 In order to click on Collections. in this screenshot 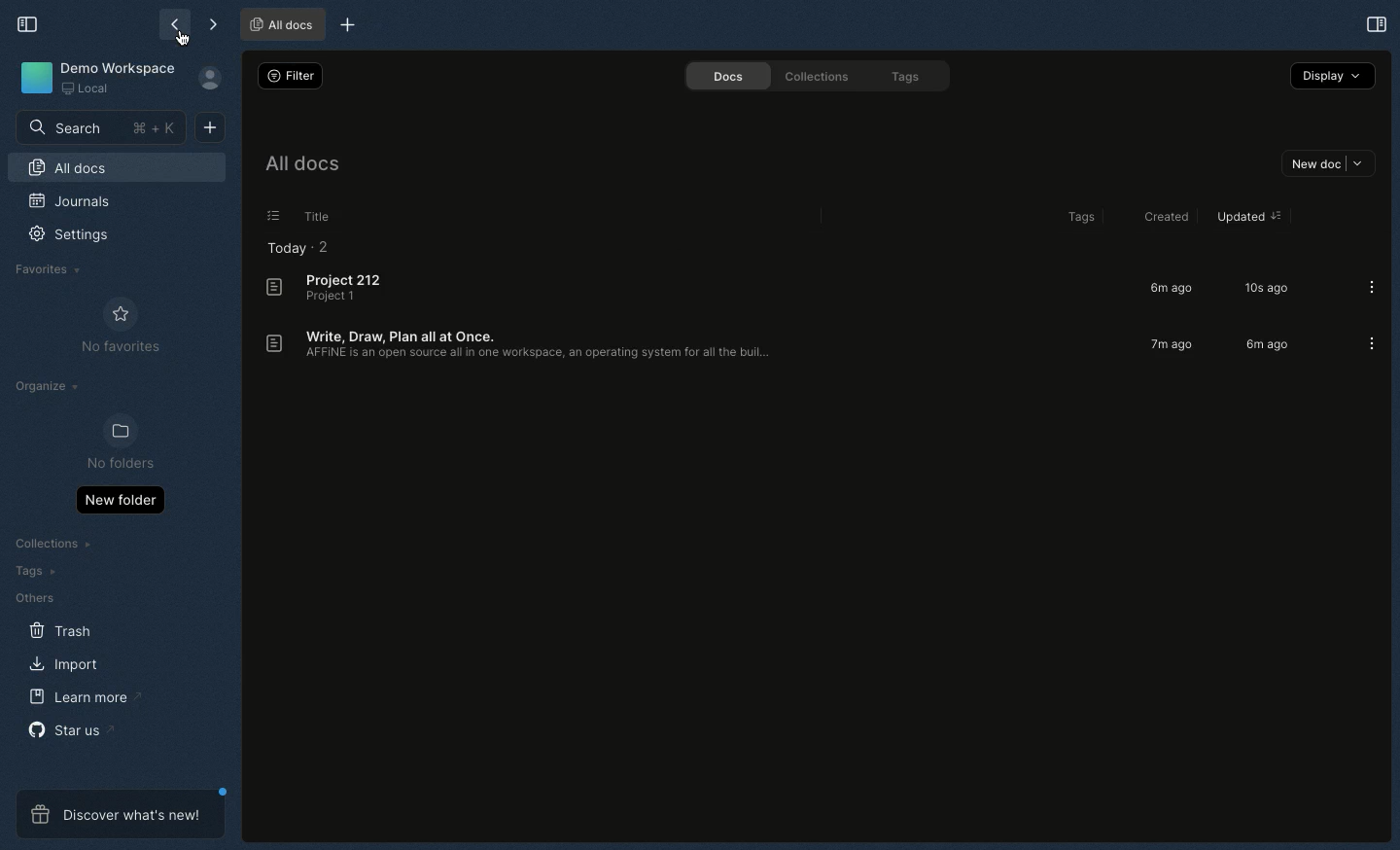, I will do `click(823, 76)`.